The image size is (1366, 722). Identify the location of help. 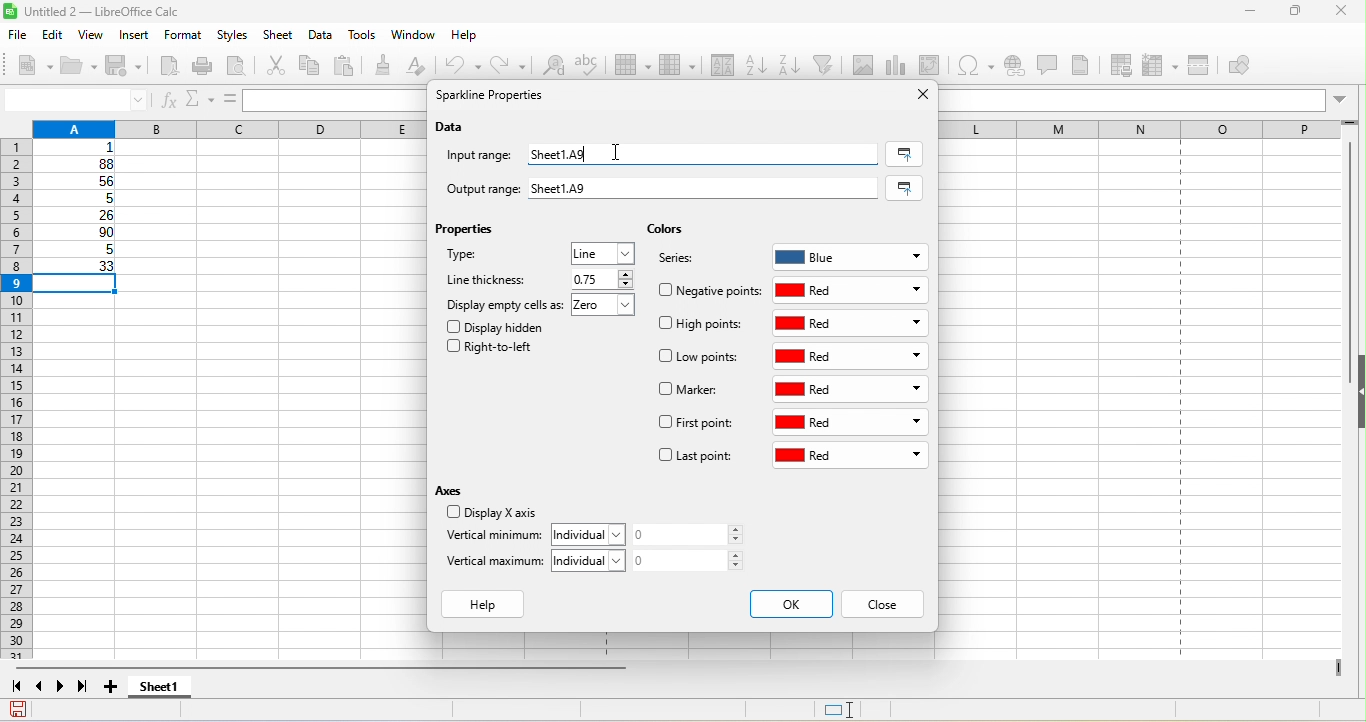
(488, 605).